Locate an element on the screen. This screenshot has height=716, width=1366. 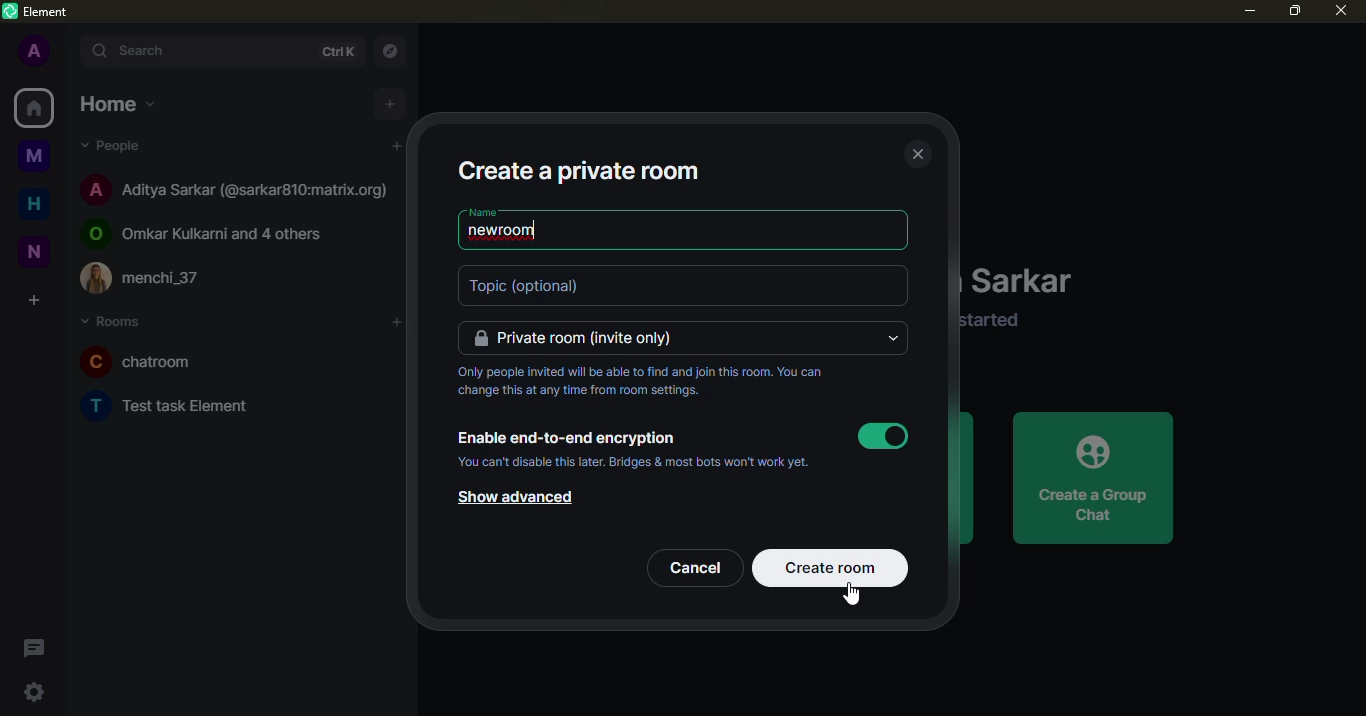
cursor is located at coordinates (852, 594).